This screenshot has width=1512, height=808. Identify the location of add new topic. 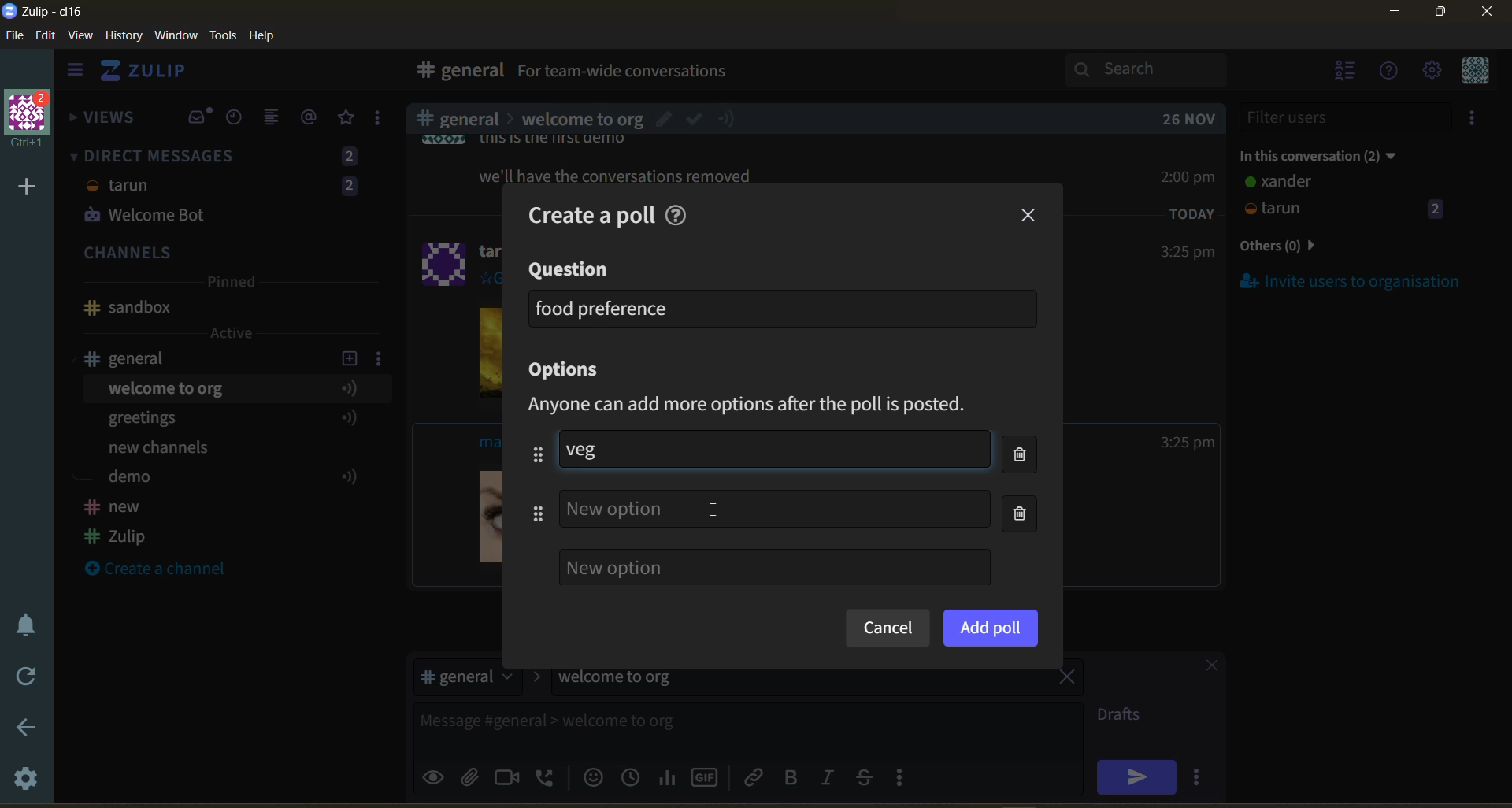
(348, 356).